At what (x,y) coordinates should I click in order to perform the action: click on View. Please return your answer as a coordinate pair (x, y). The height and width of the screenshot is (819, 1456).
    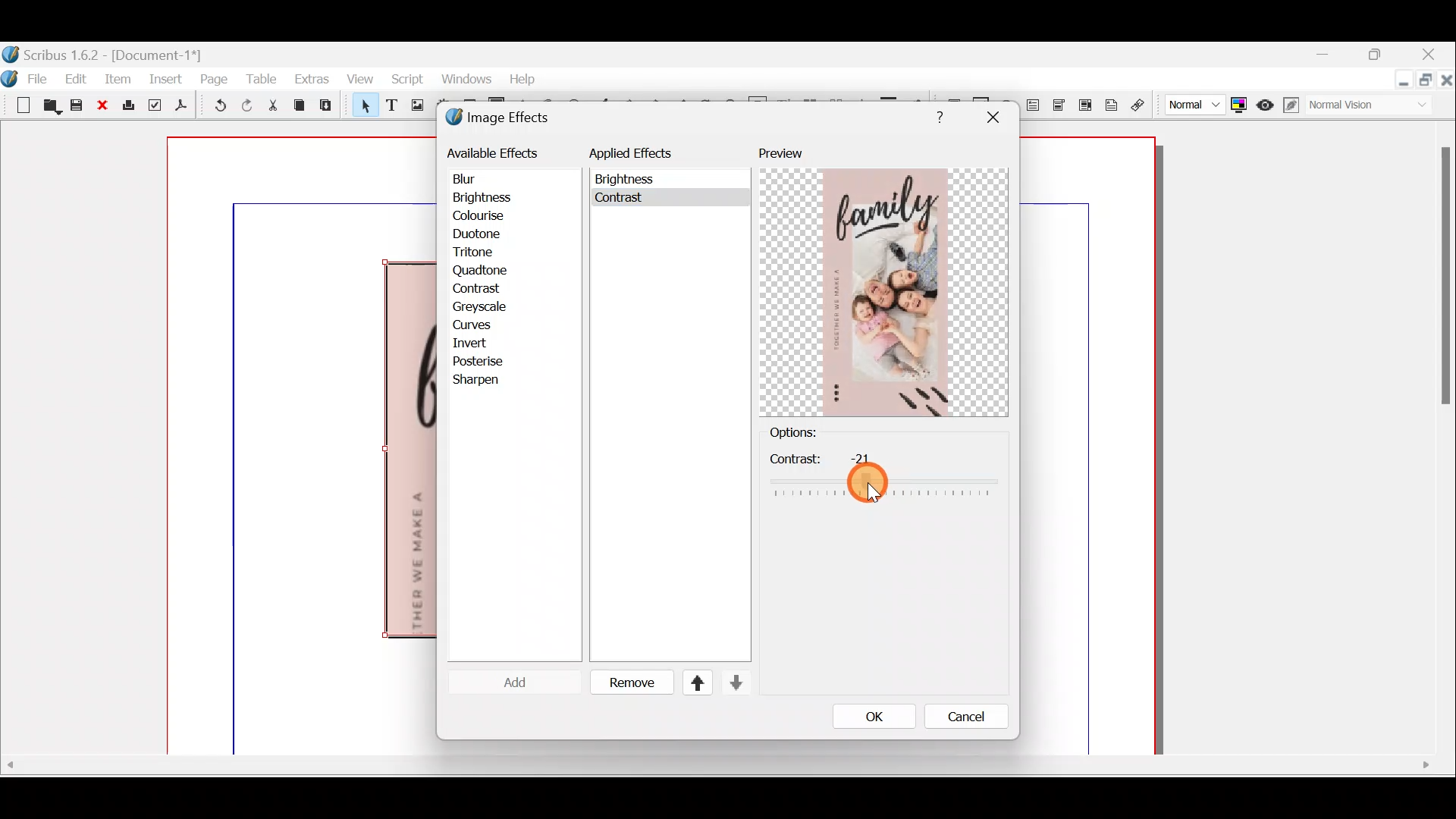
    Looking at the image, I should click on (358, 80).